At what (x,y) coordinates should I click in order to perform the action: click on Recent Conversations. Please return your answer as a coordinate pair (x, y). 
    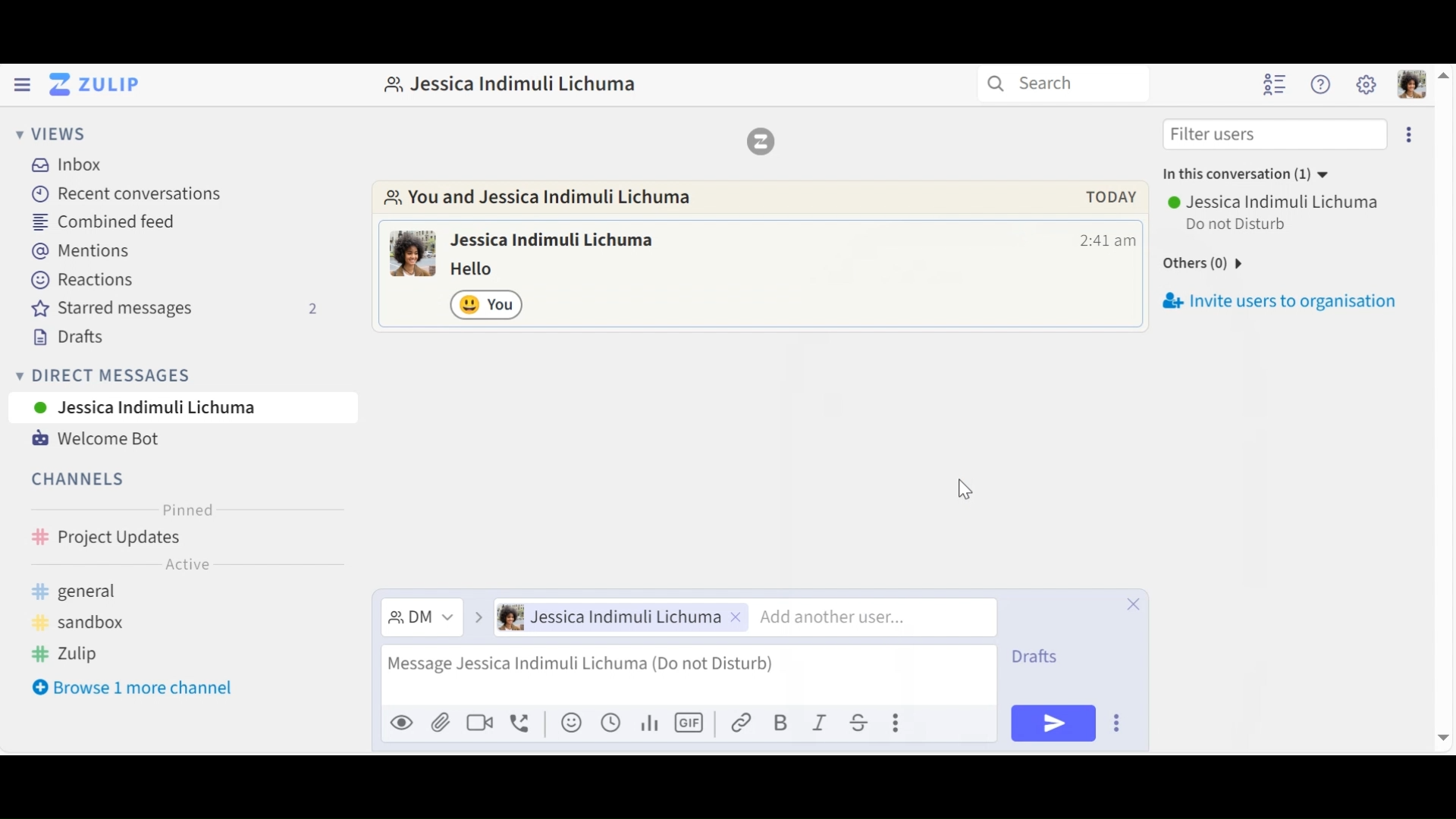
    Looking at the image, I should click on (128, 193).